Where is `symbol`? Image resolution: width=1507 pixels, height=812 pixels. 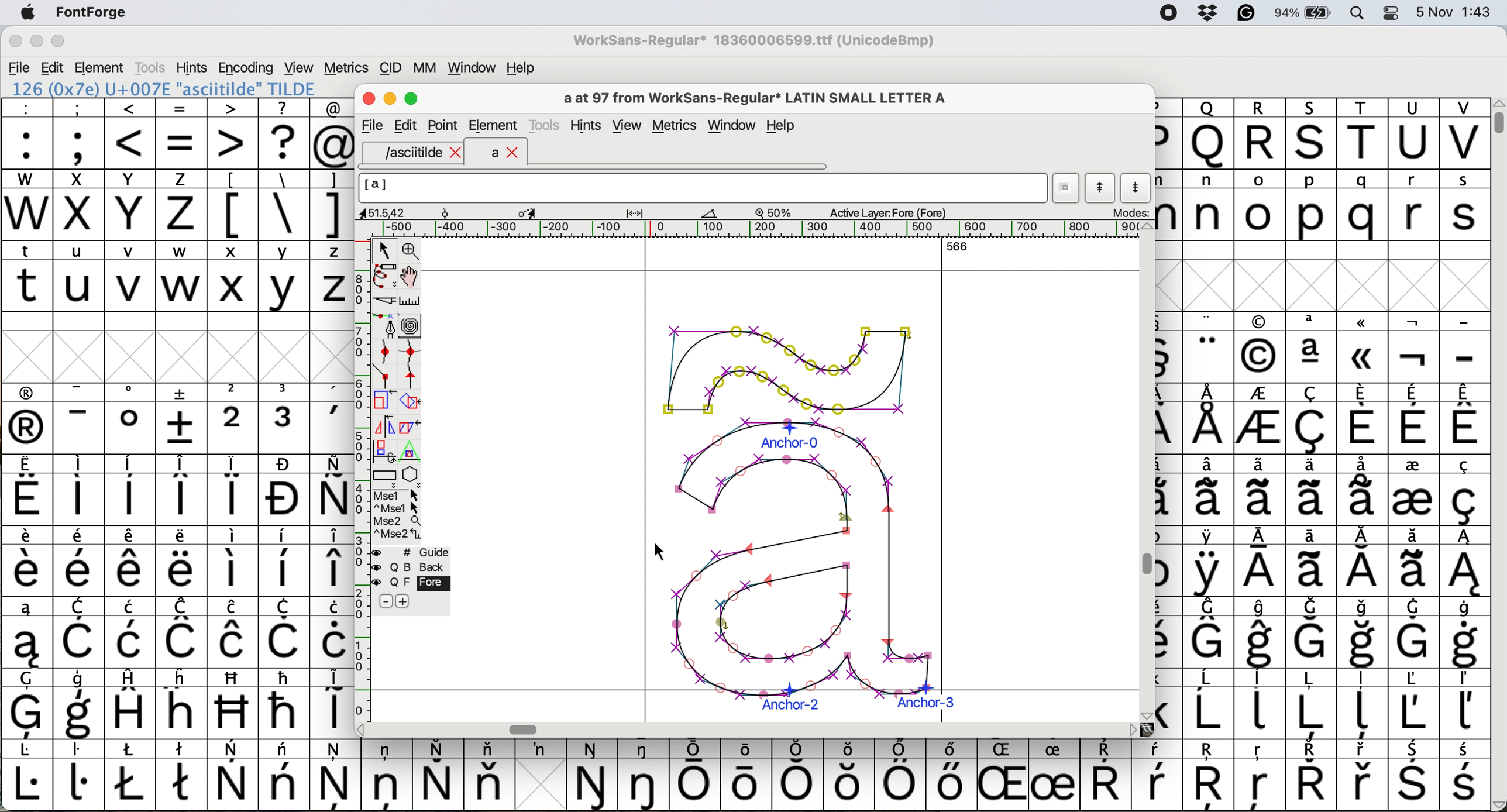
symbol is located at coordinates (489, 774).